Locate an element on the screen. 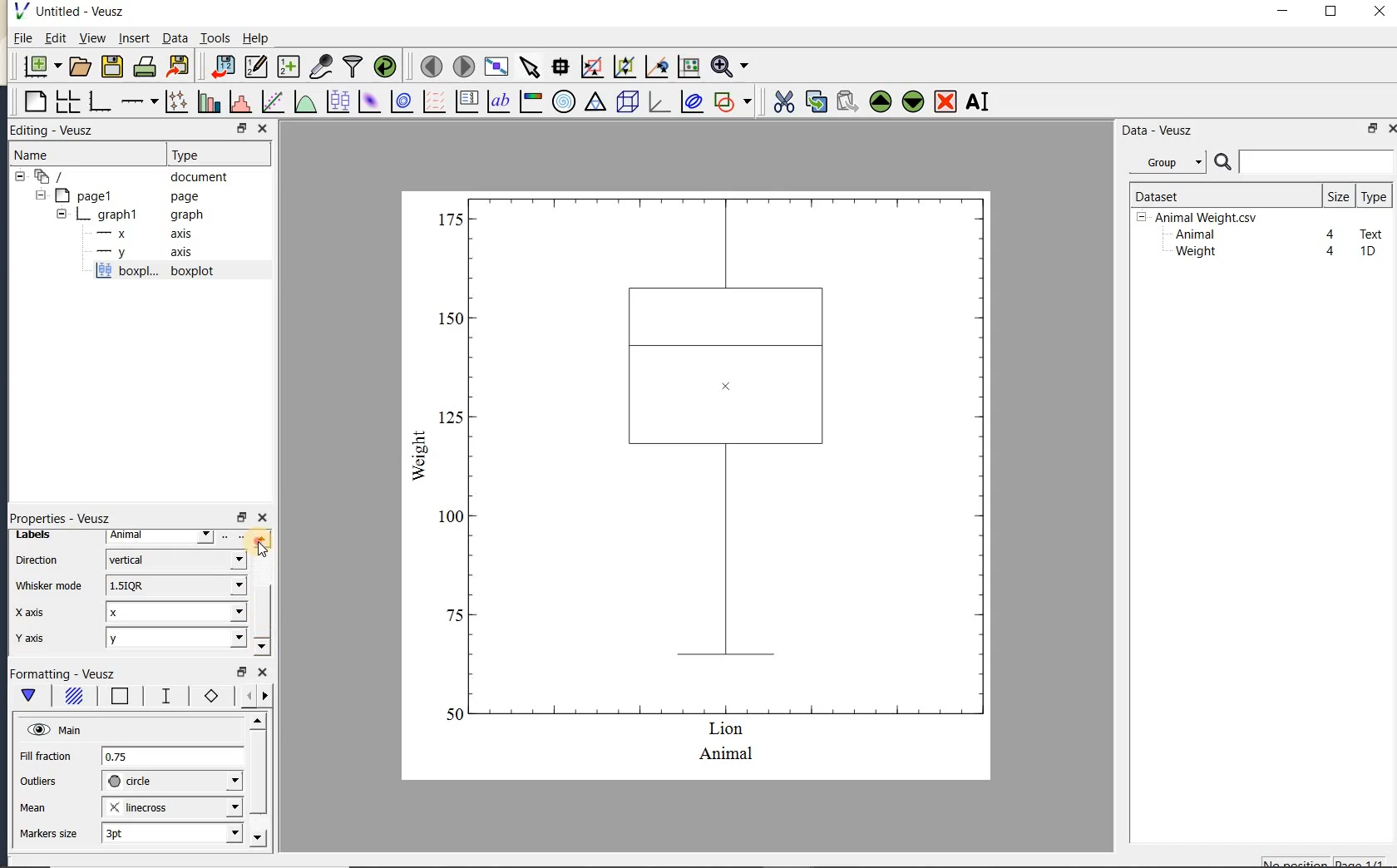  cut the selected widget is located at coordinates (782, 102).